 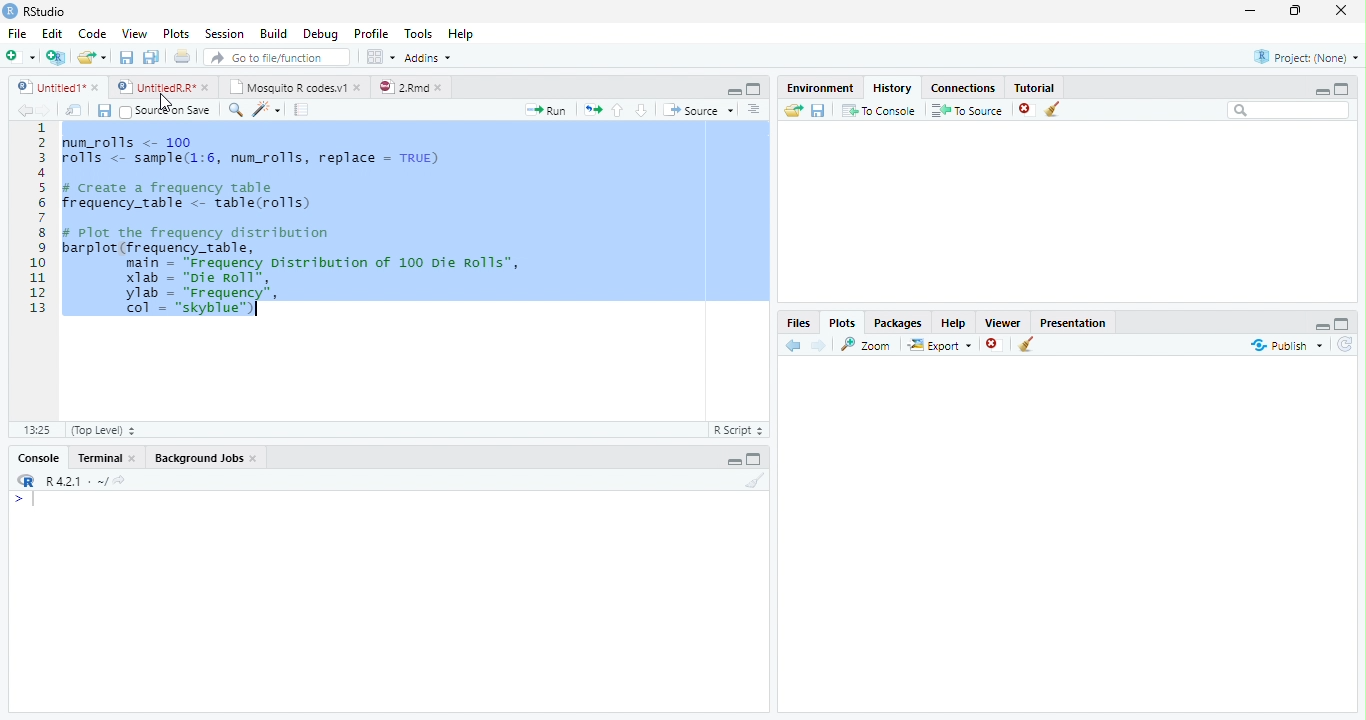 I want to click on Help, so click(x=463, y=33).